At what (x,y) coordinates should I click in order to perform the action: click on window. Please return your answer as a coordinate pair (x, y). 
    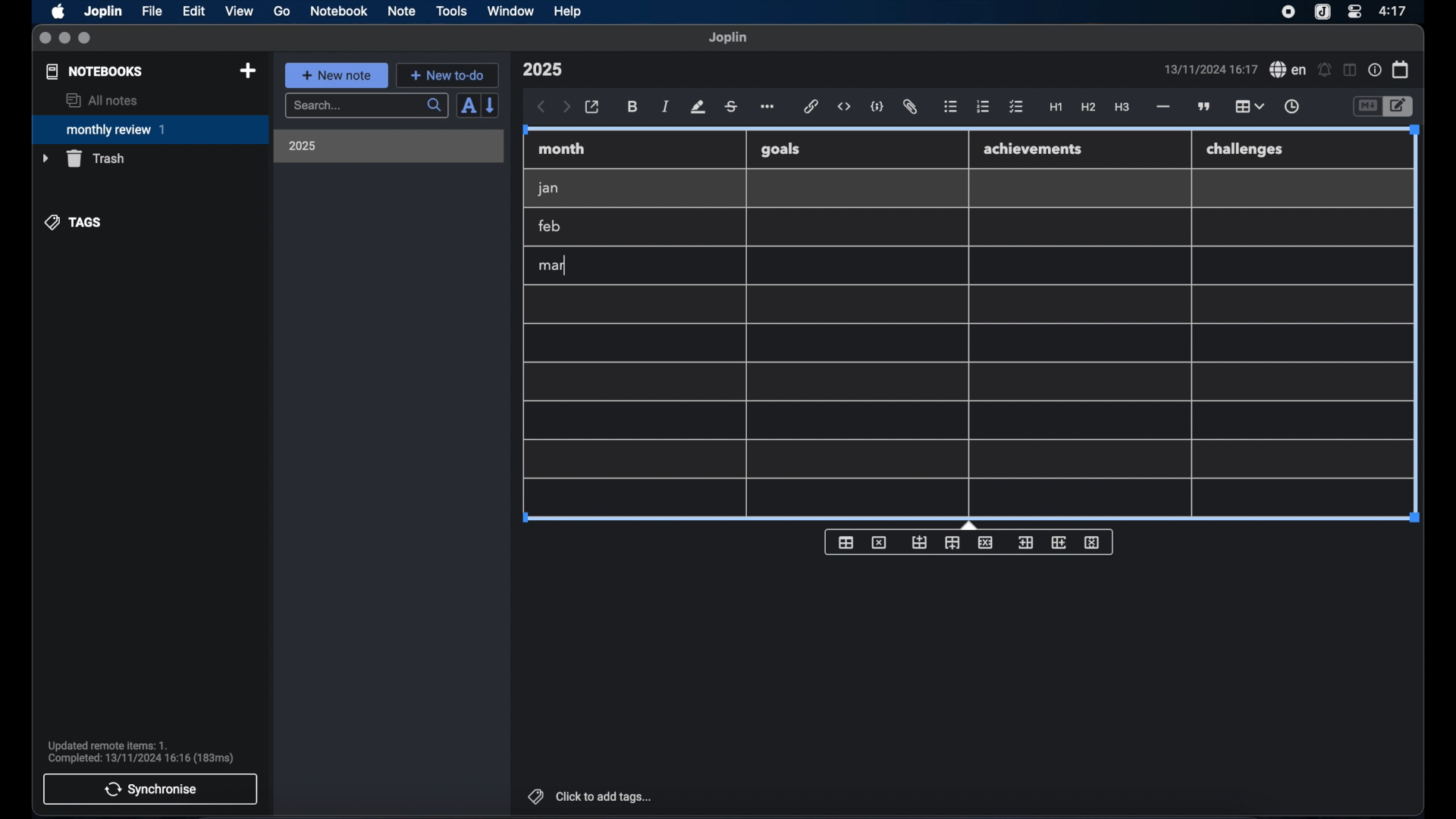
    Looking at the image, I should click on (511, 11).